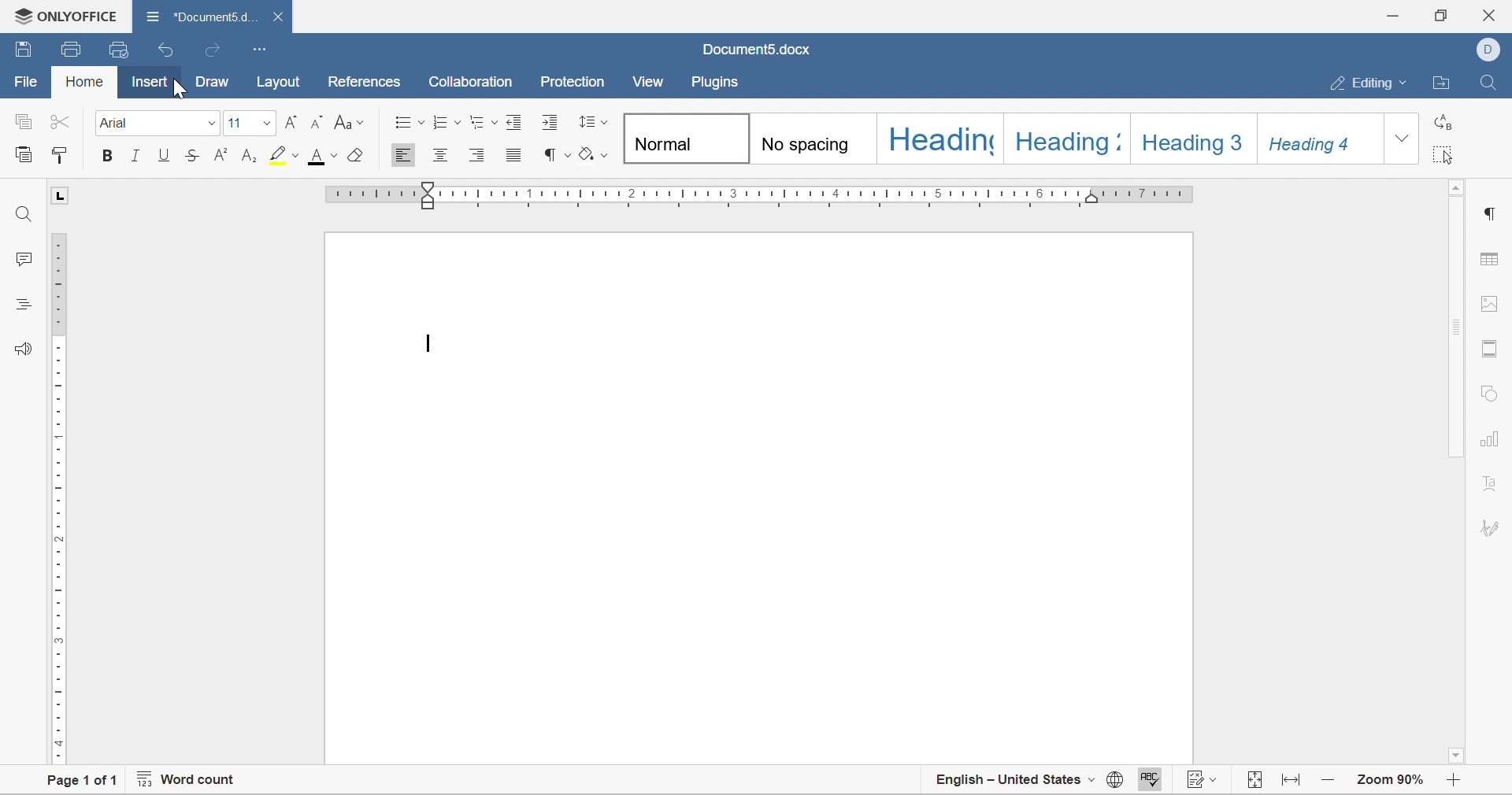  I want to click on close, so click(1492, 15).